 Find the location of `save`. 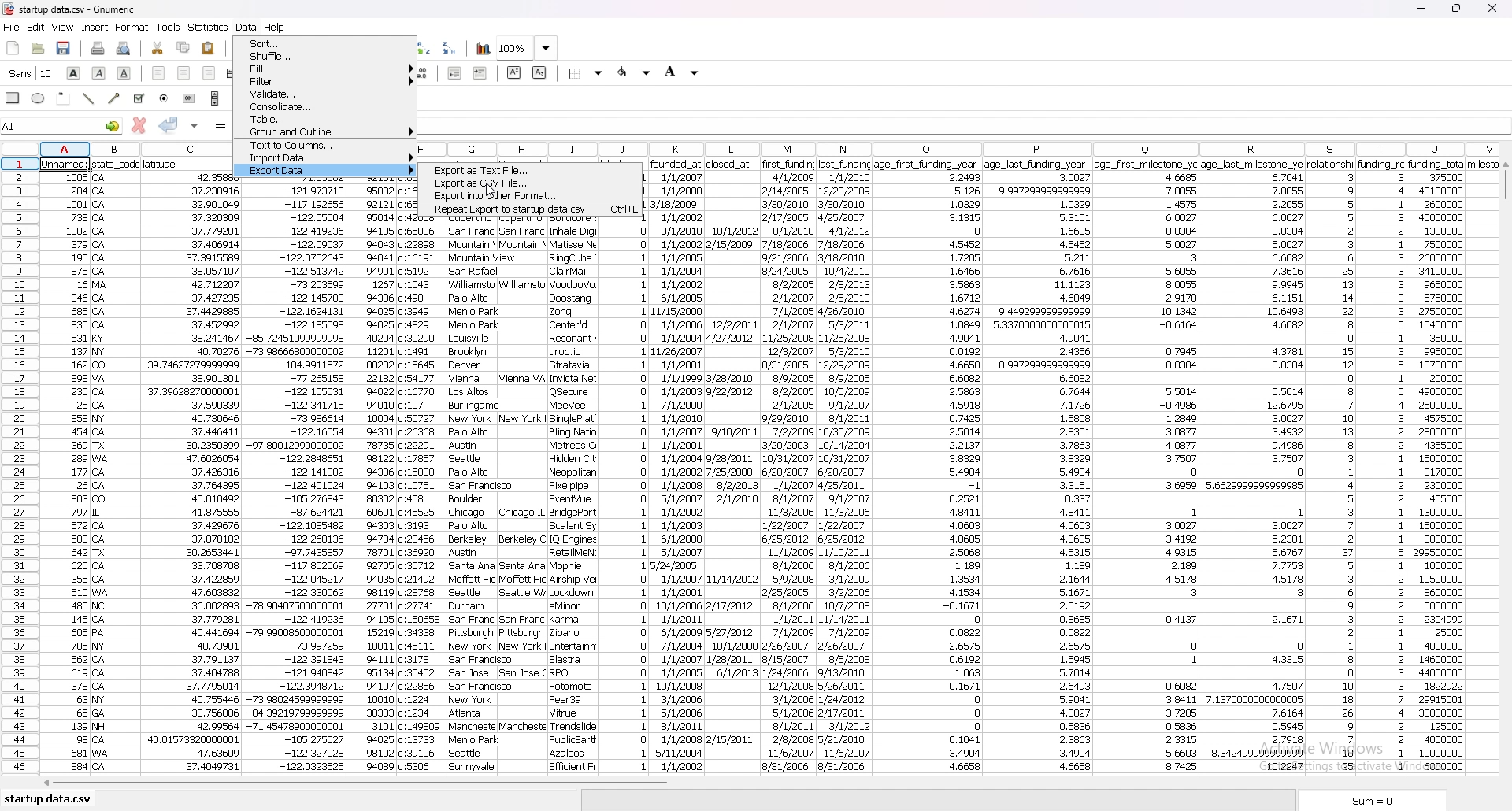

save is located at coordinates (65, 48).